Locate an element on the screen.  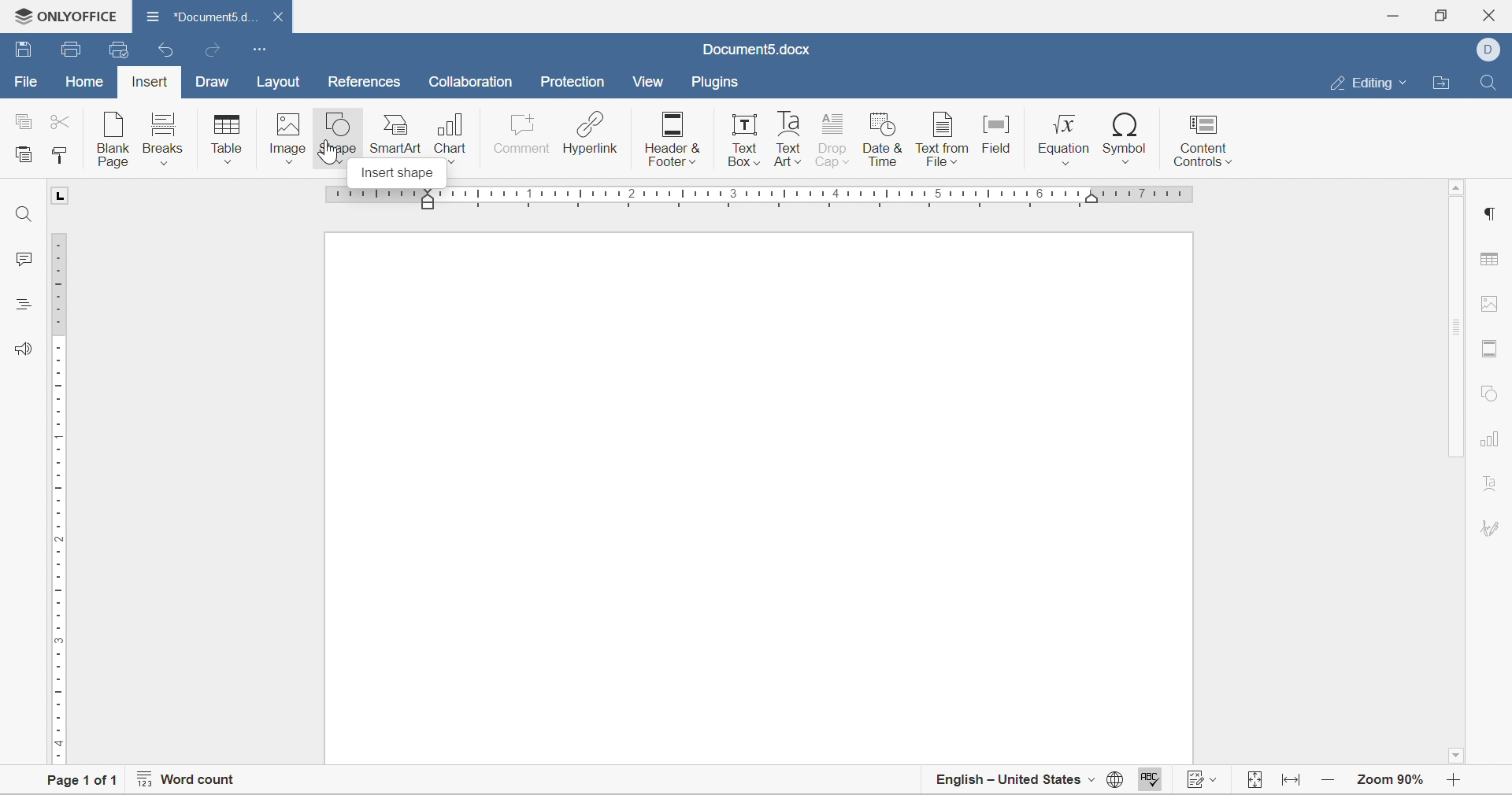
image is located at coordinates (287, 137).